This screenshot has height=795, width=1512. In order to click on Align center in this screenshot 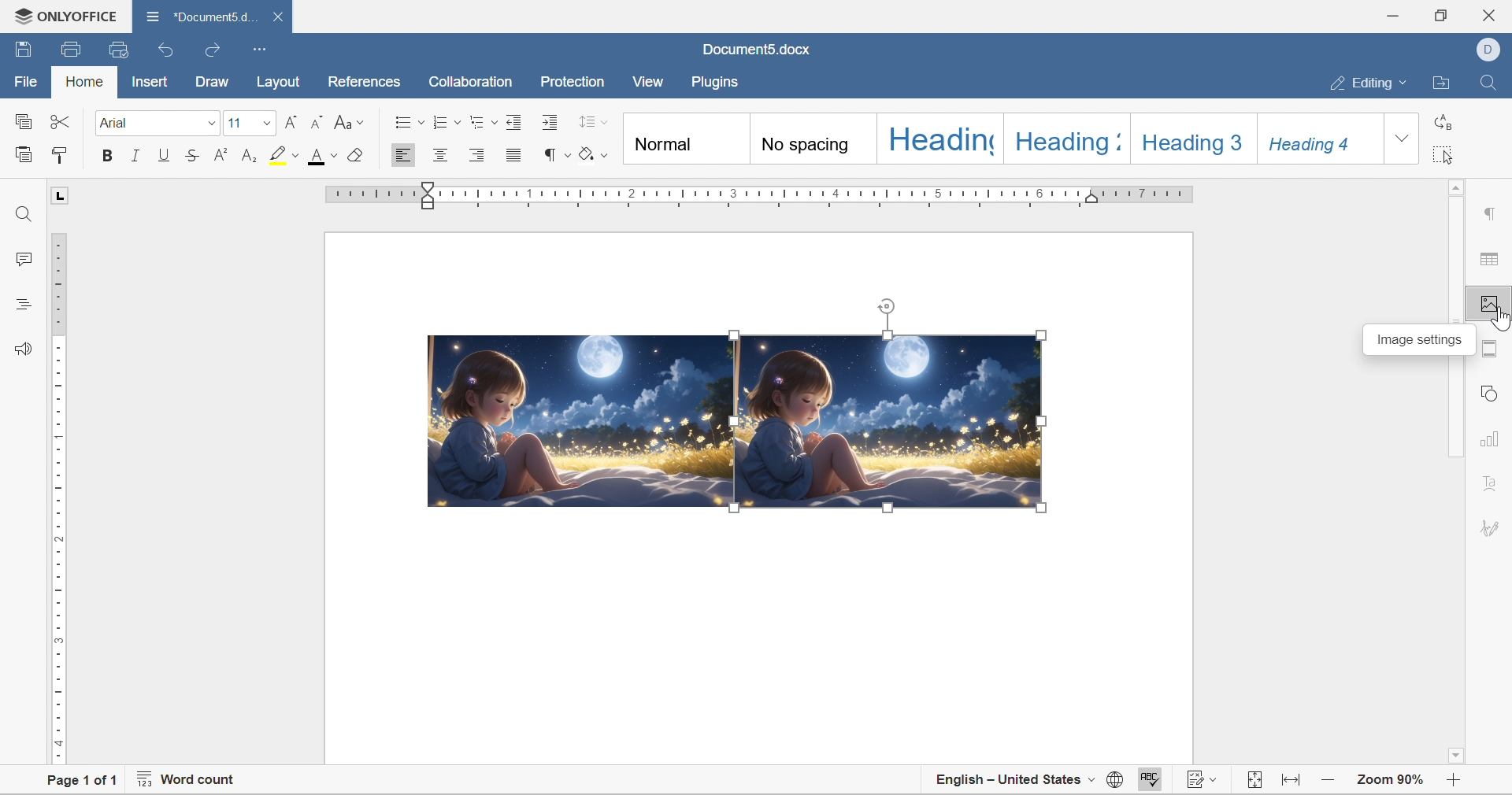, I will do `click(443, 154)`.